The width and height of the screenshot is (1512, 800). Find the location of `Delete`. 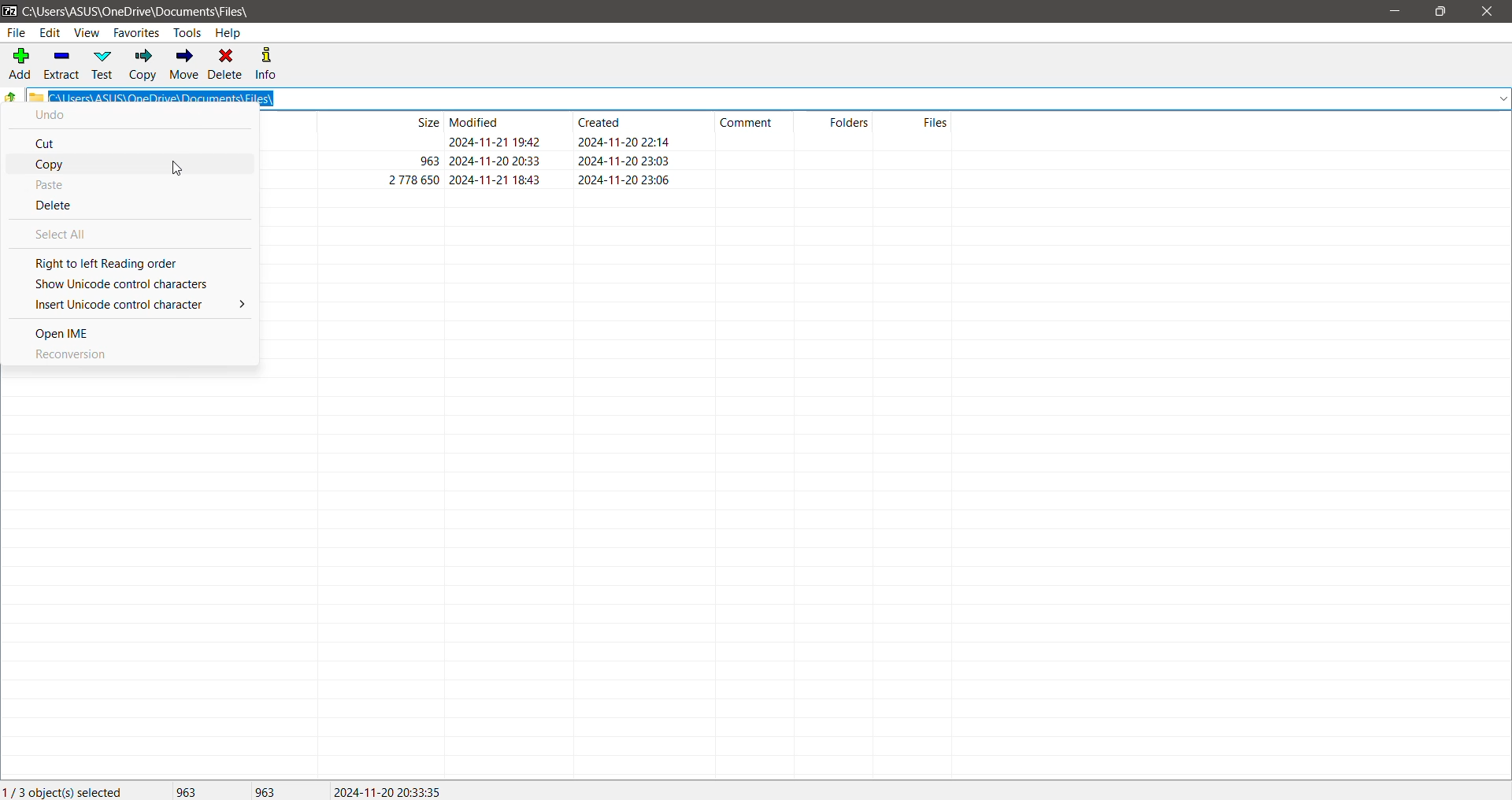

Delete is located at coordinates (227, 64).